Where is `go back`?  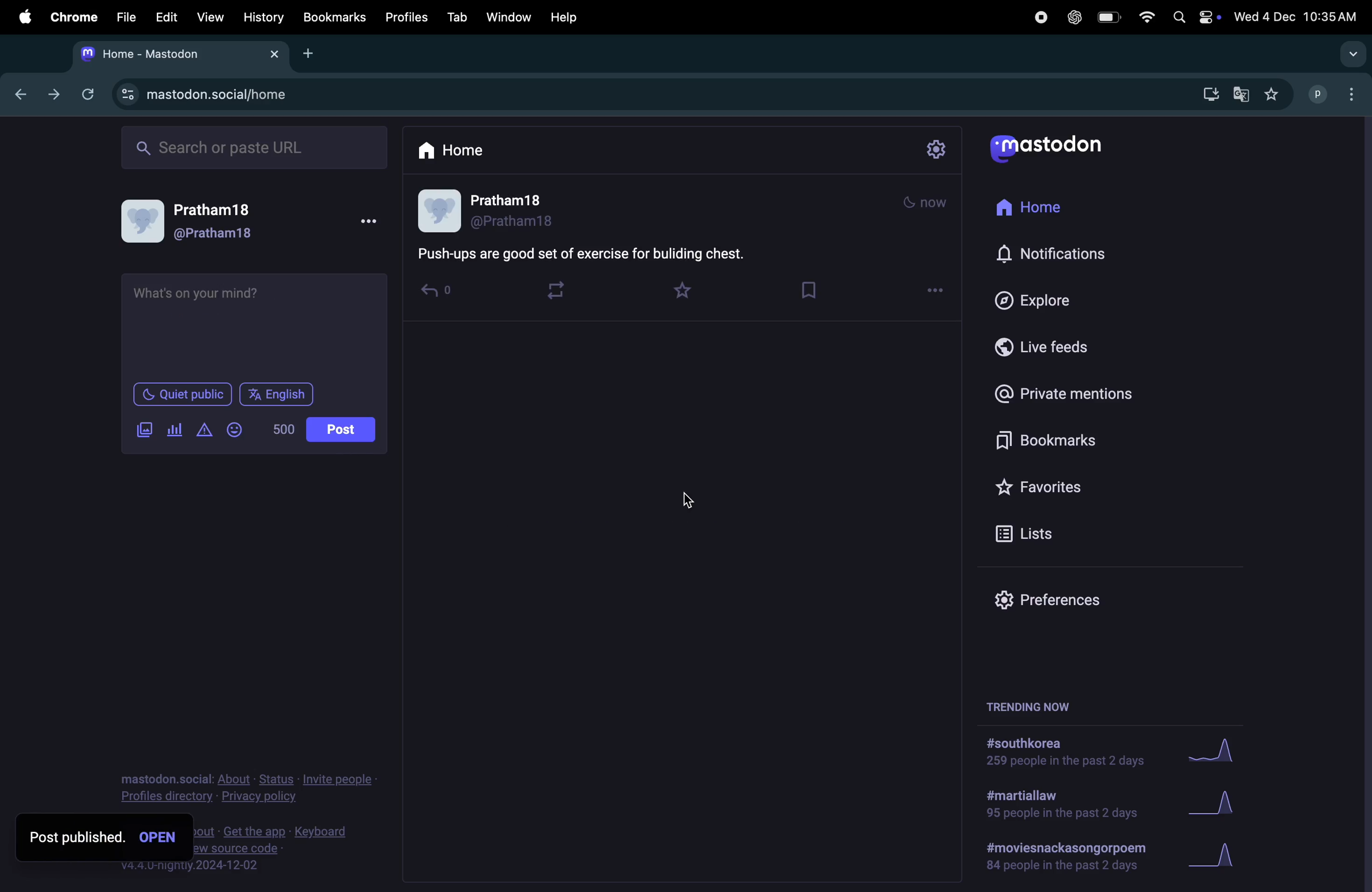 go back is located at coordinates (17, 92).